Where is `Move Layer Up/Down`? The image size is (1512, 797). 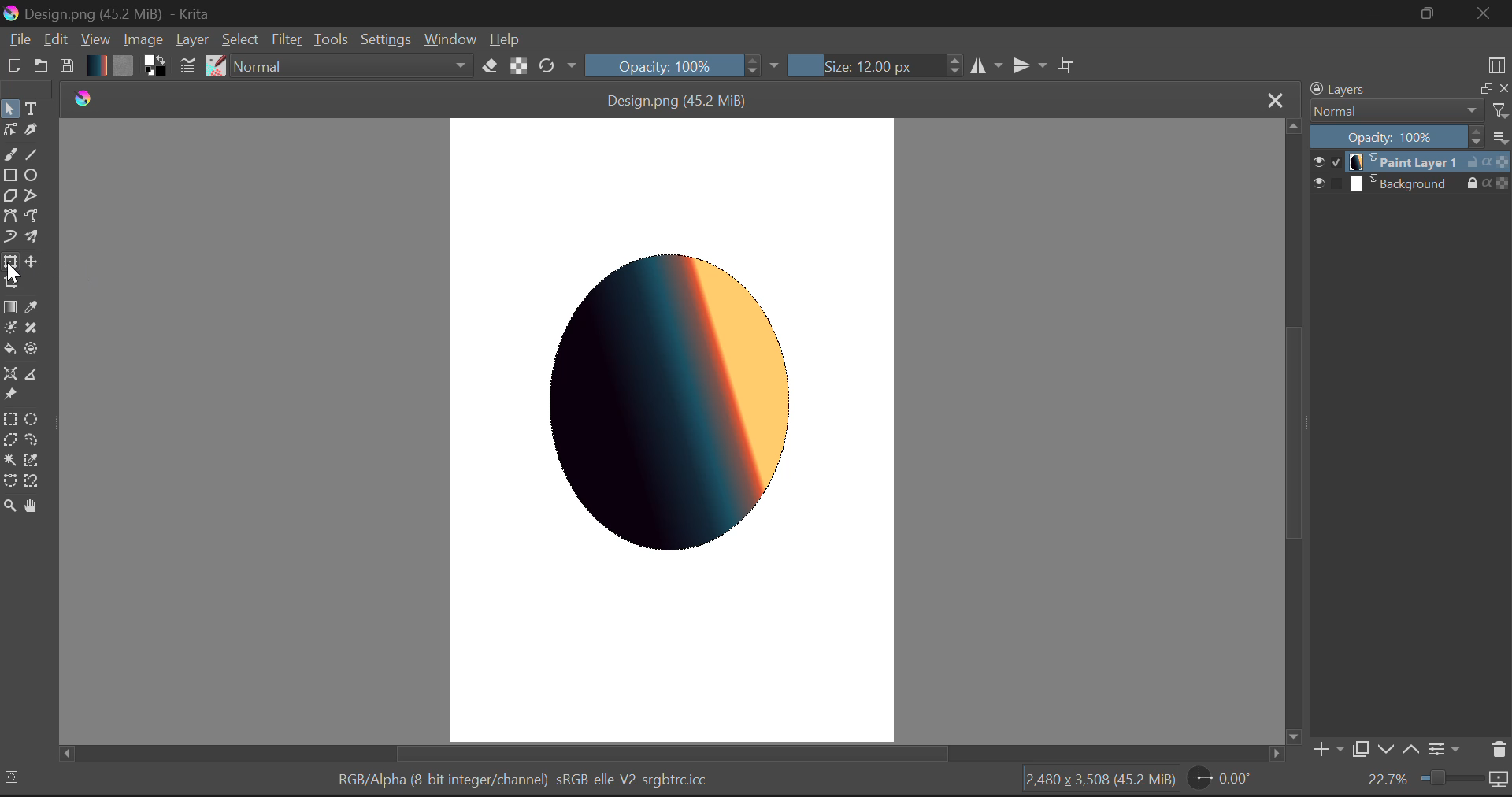 Move Layer Up/Down is located at coordinates (1399, 749).